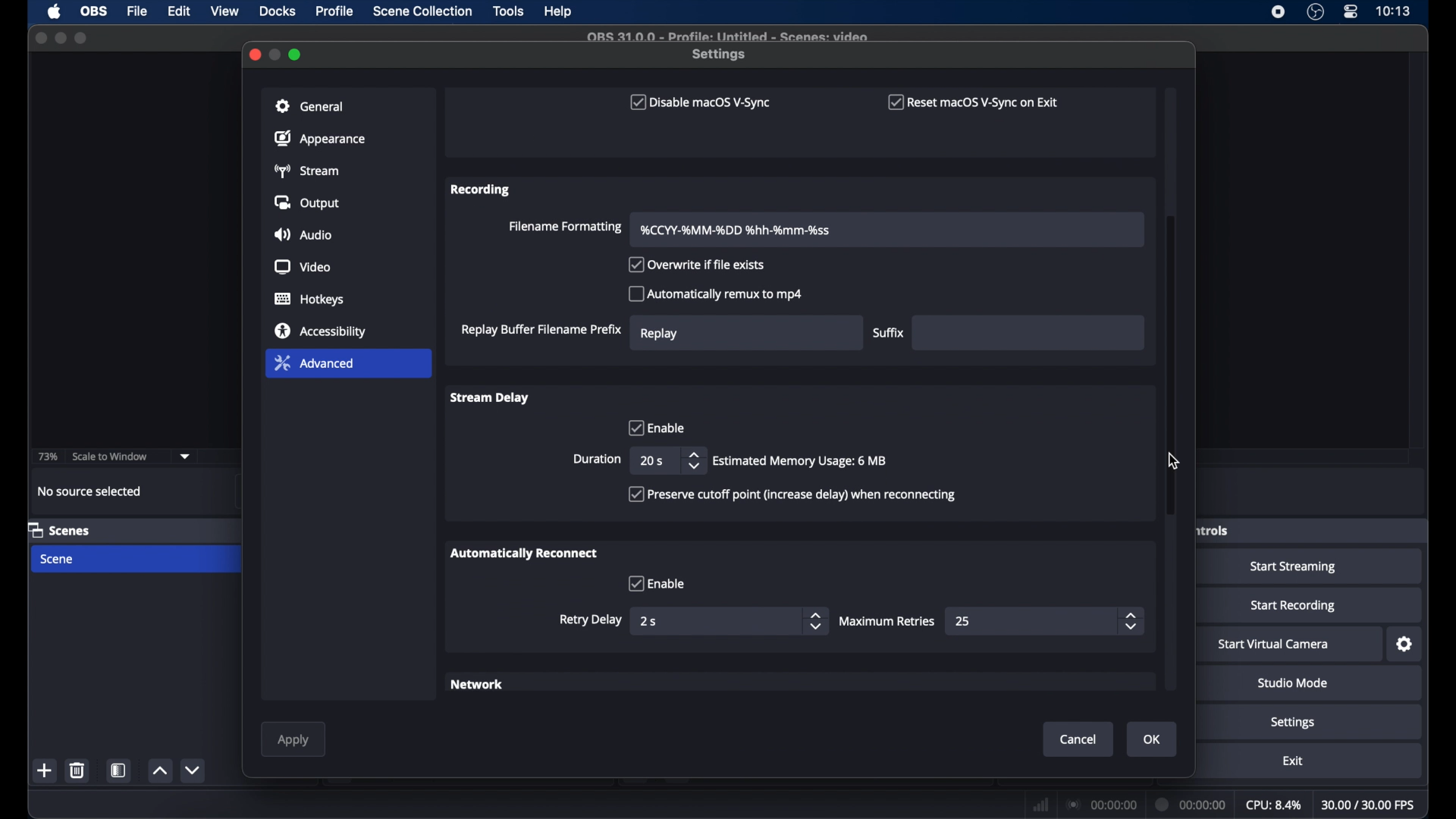  Describe the element at coordinates (737, 230) in the screenshot. I see `Filename format` at that location.